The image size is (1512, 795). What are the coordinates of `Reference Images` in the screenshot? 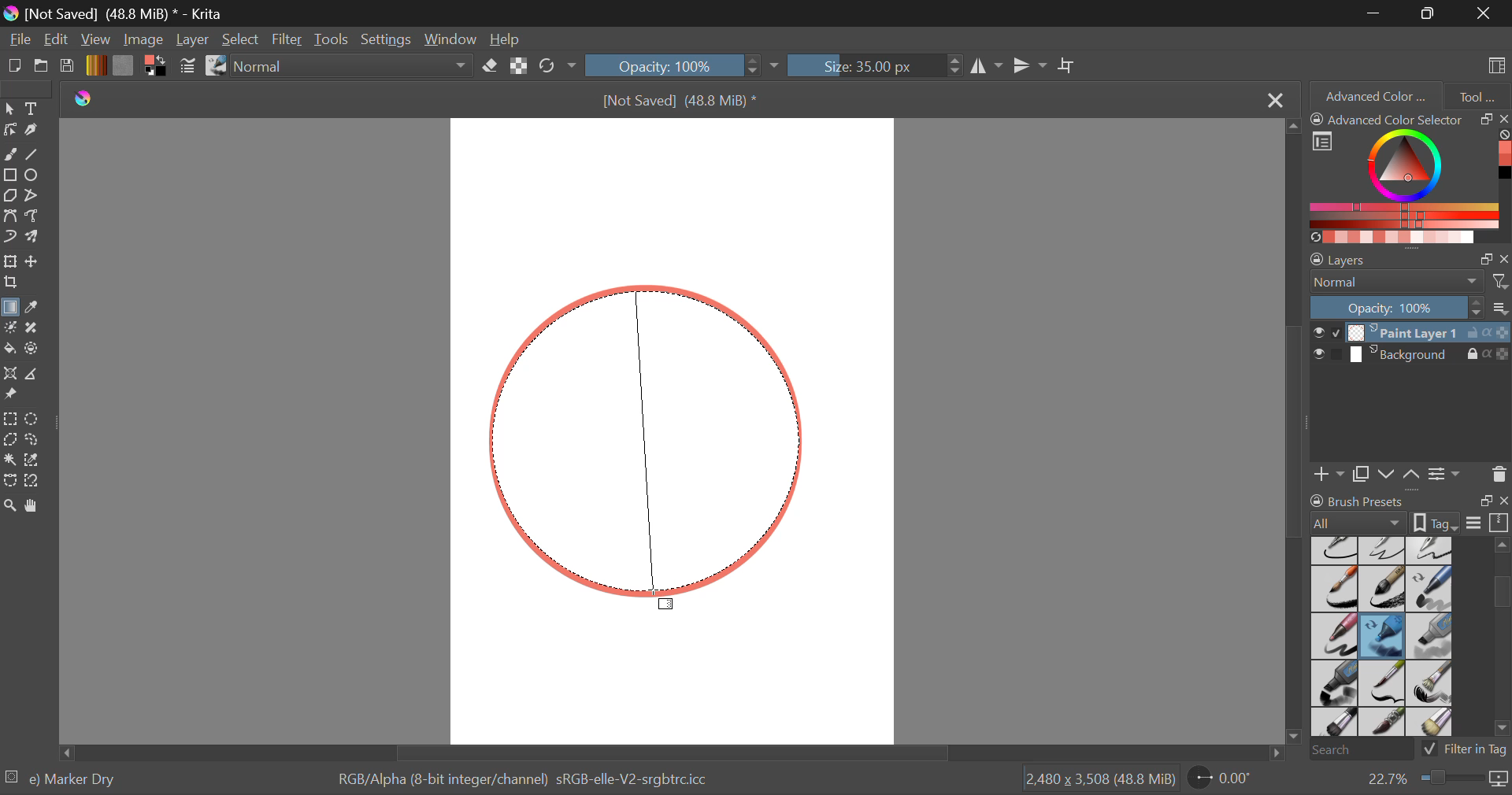 It's located at (13, 395).